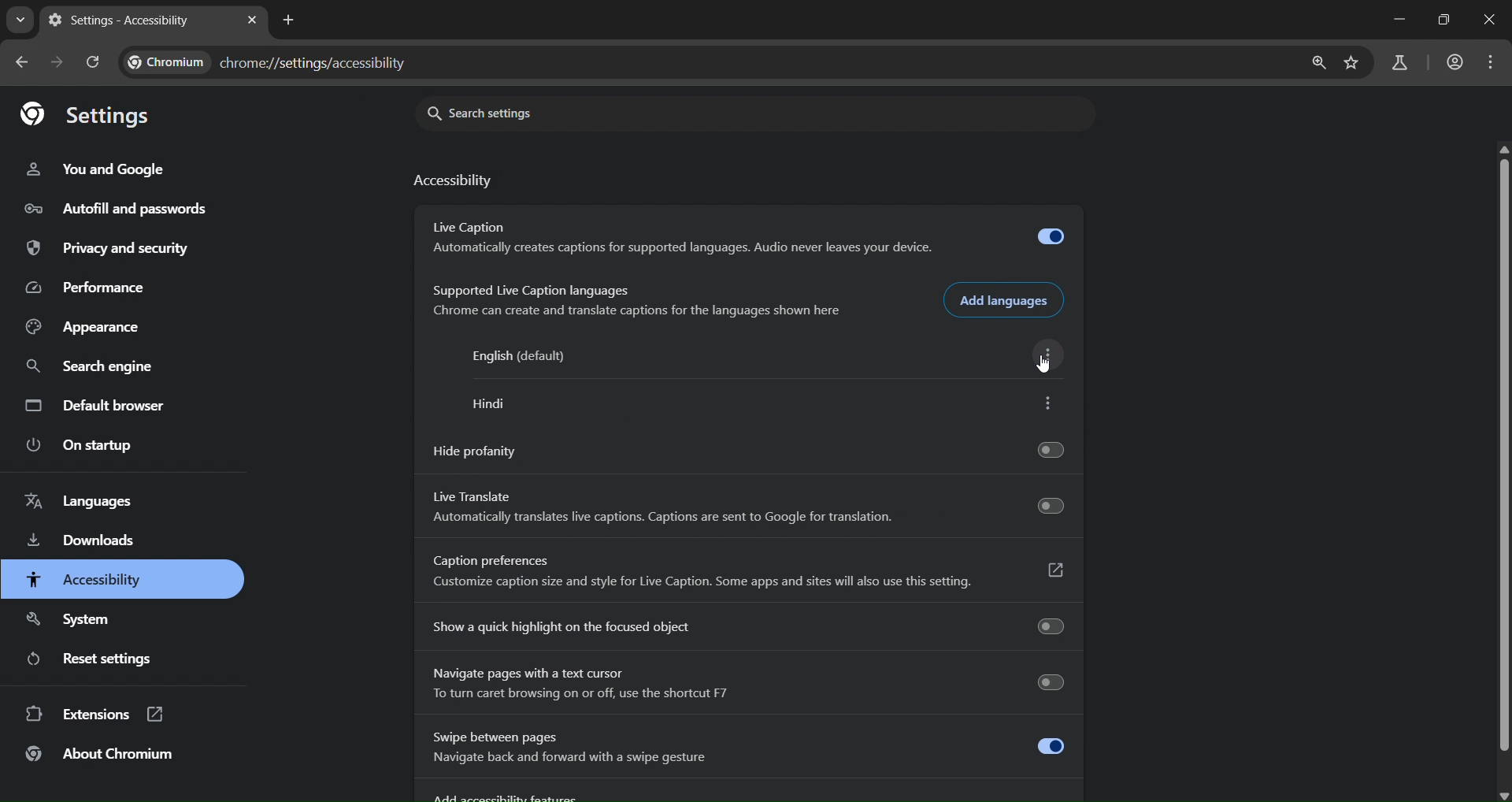 This screenshot has height=802, width=1512. What do you see at coordinates (637, 301) in the screenshot?
I see `Supported Live Caption languages
Chrome can create and translate captions for the languages shown here` at bounding box center [637, 301].